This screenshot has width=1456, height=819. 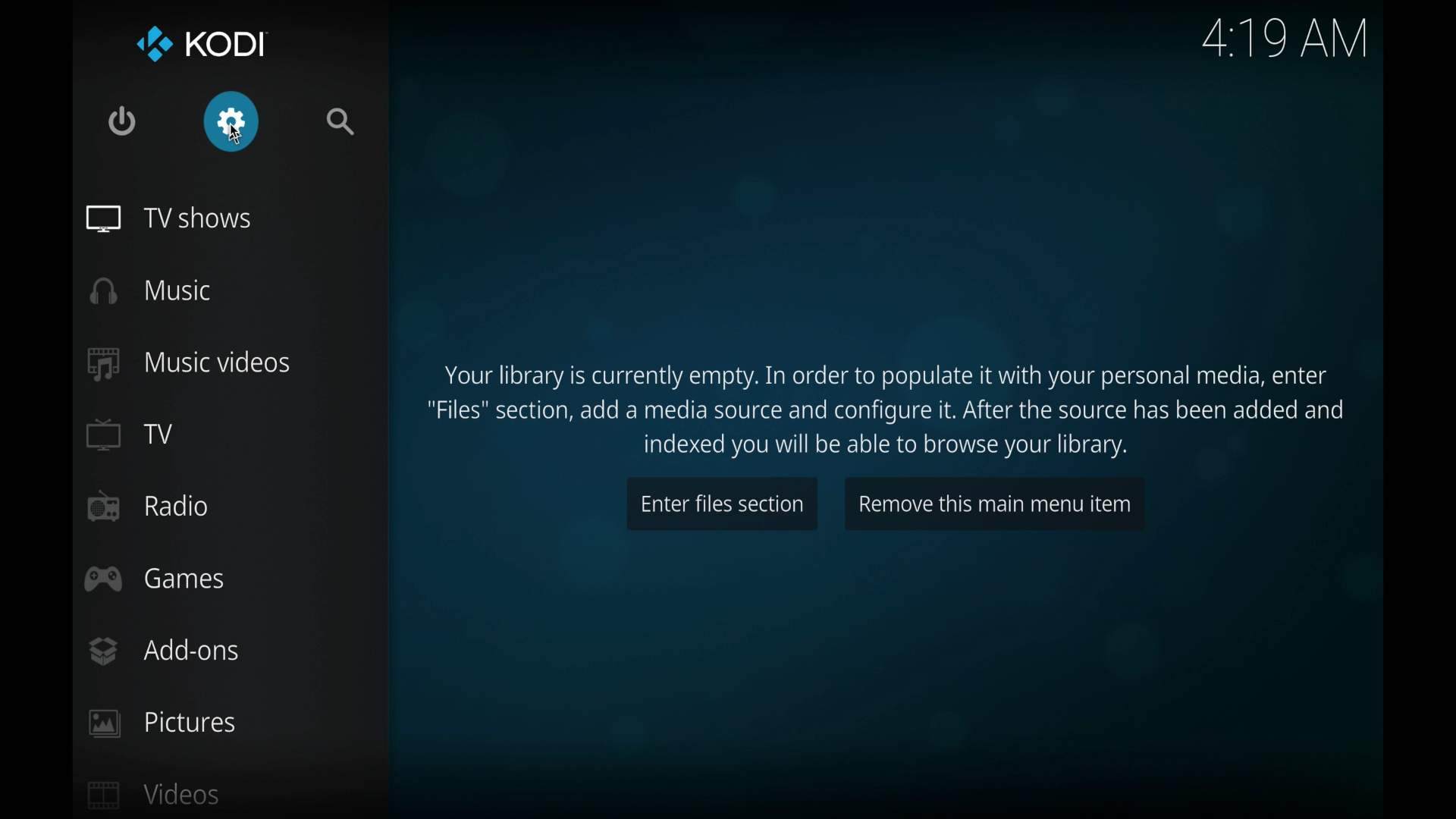 I want to click on music, so click(x=152, y=292).